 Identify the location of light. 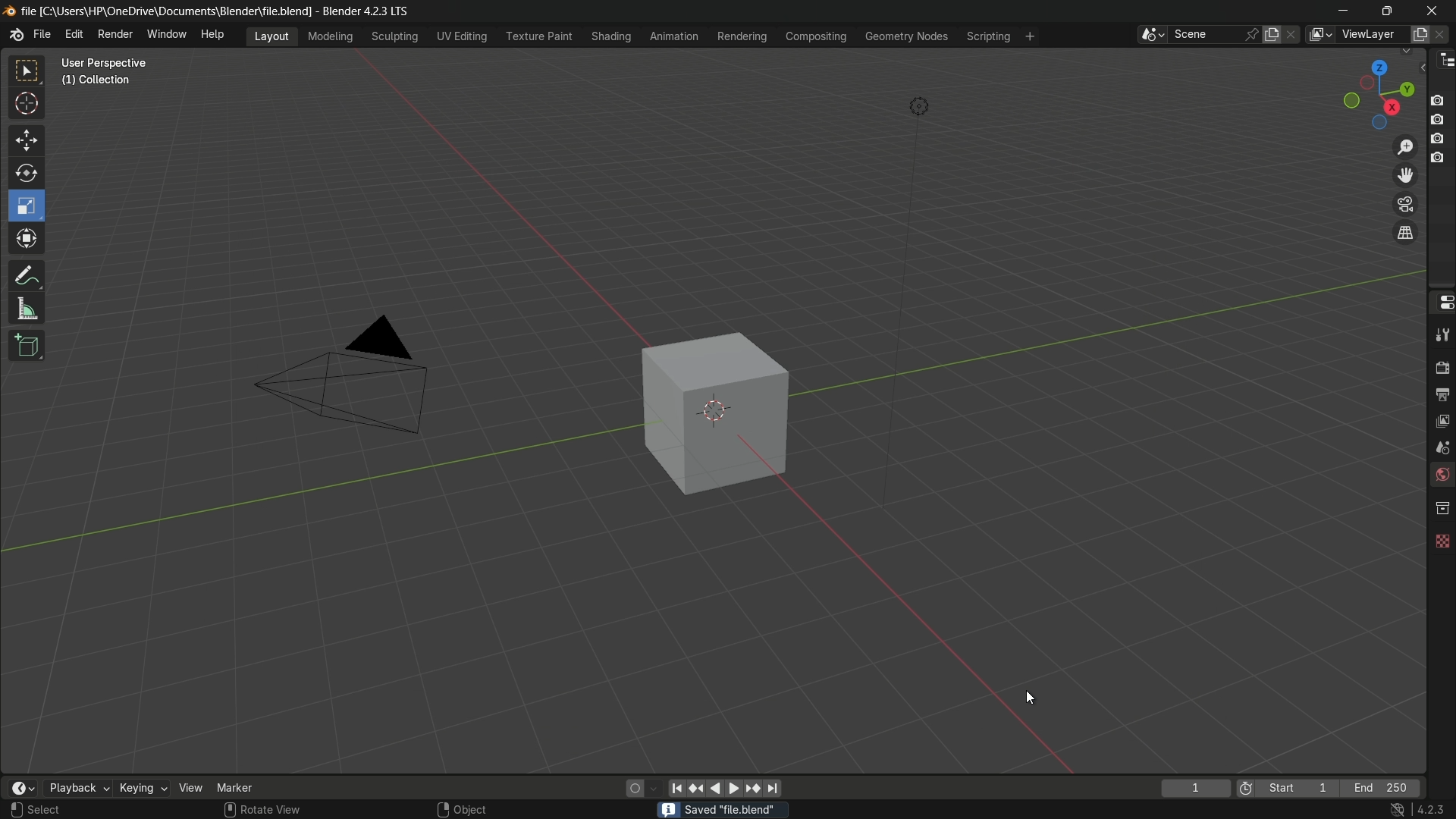
(919, 109).